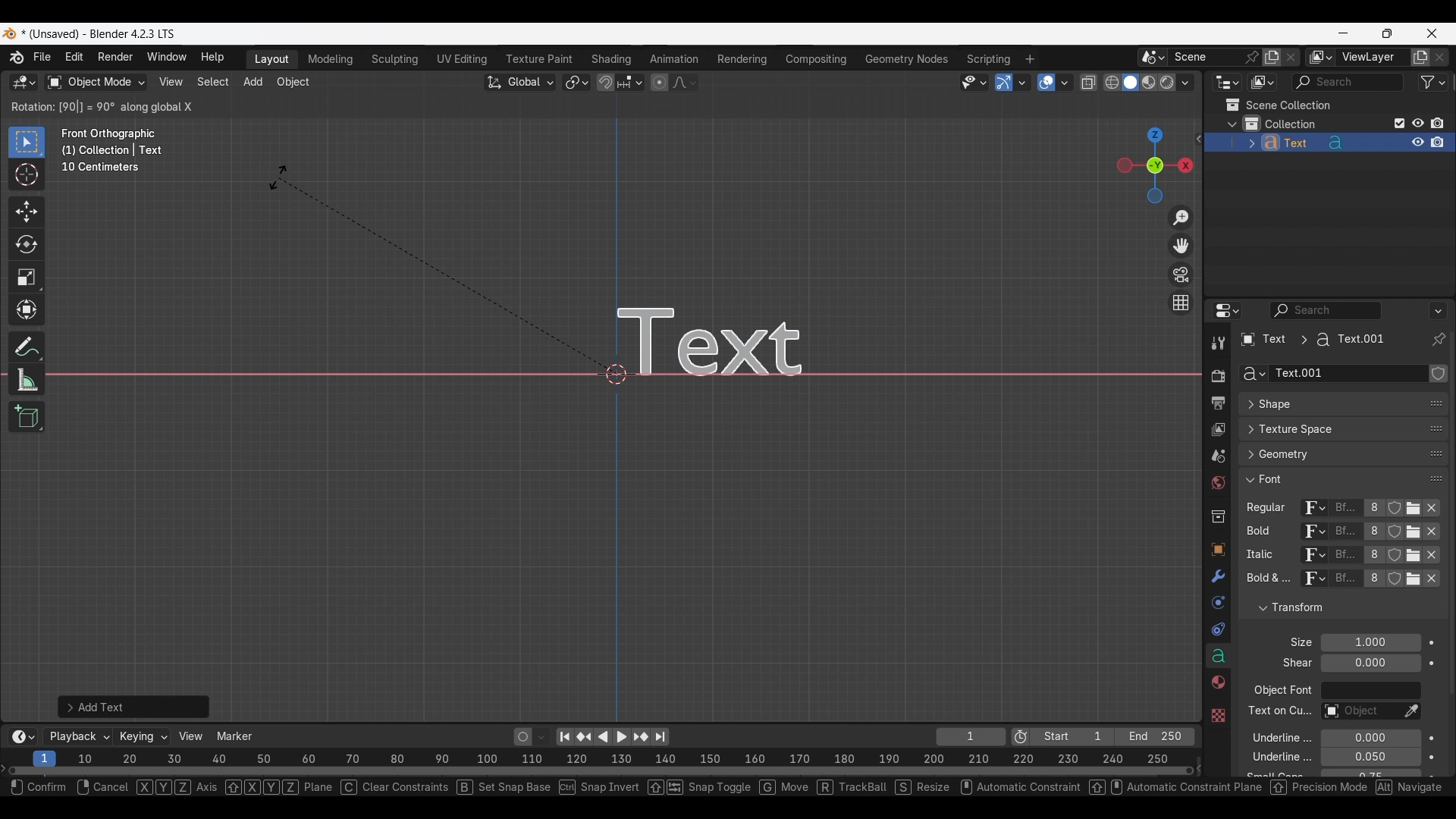  I want to click on Layout workspace, current selection, so click(271, 60).